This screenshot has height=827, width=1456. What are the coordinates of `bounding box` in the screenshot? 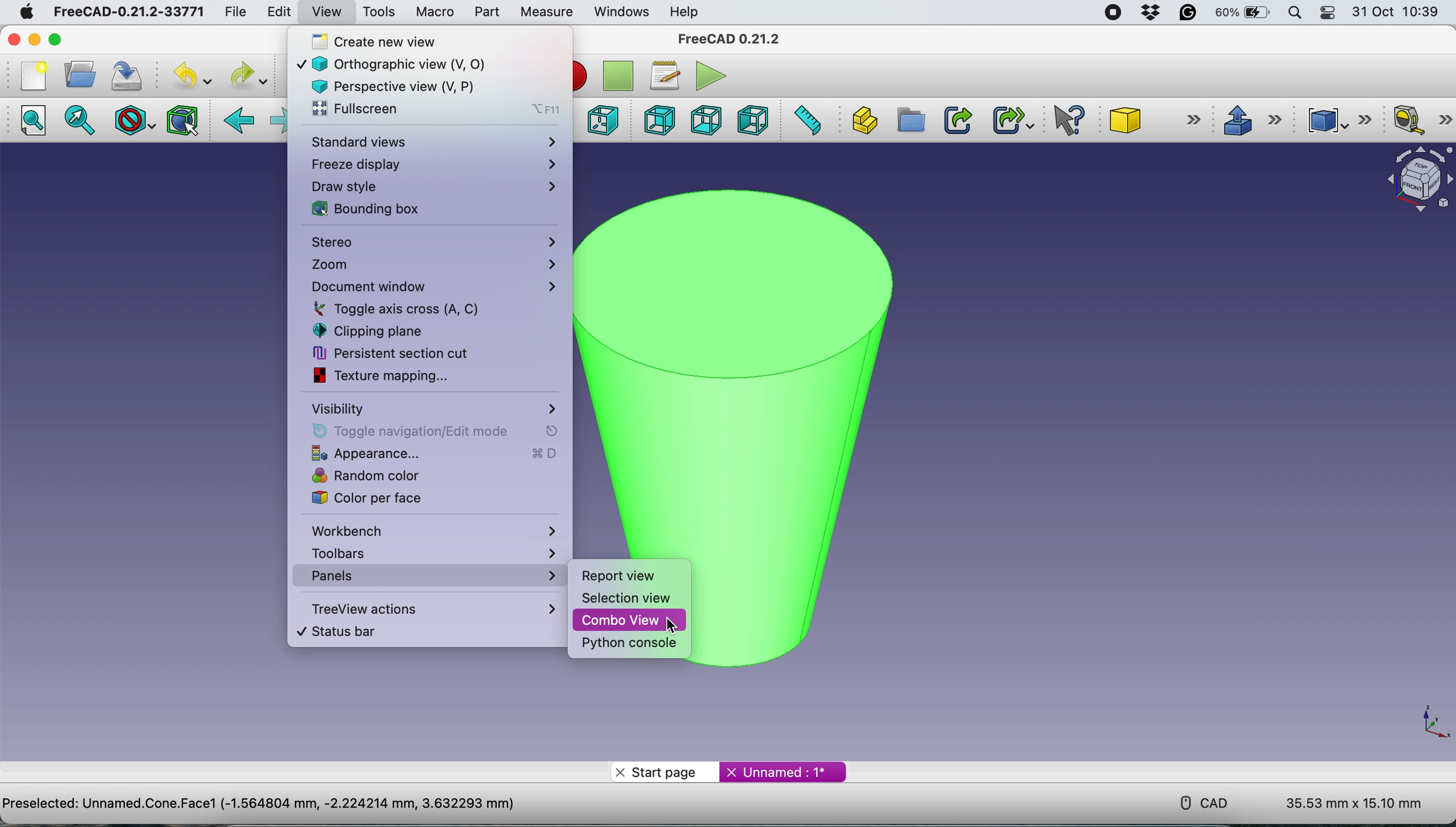 It's located at (424, 209).